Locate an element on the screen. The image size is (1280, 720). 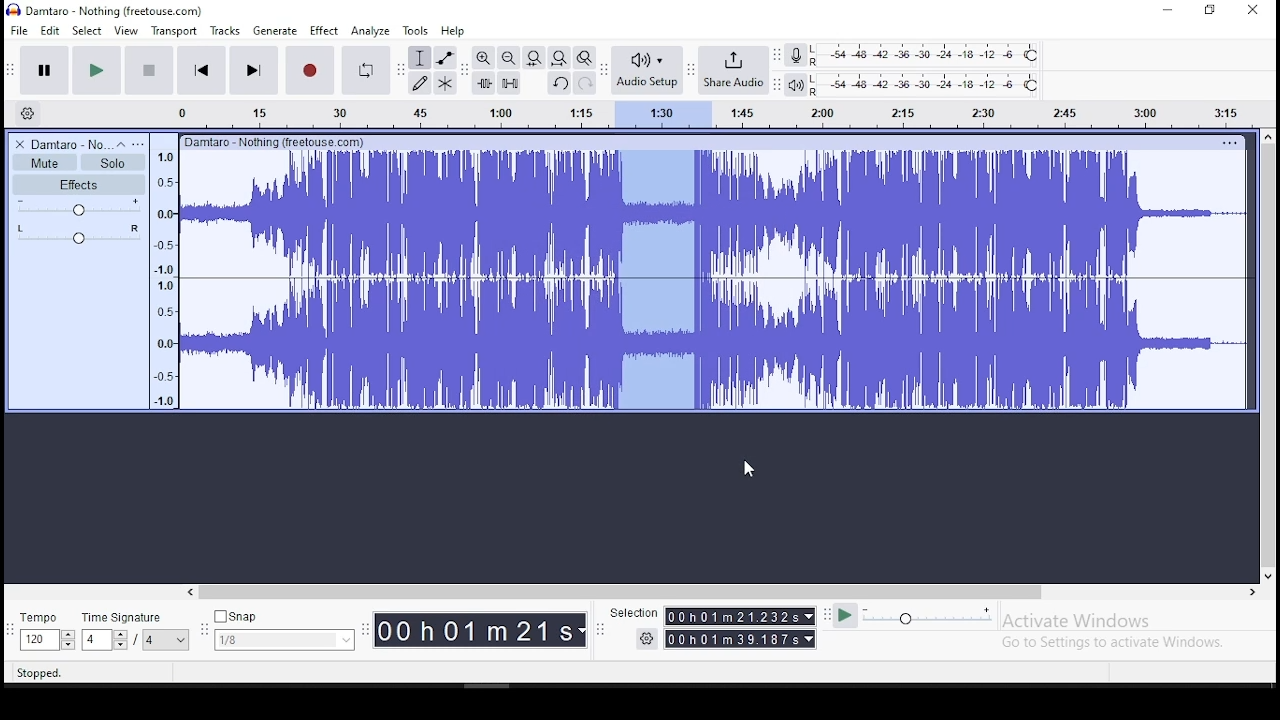
analyze is located at coordinates (371, 31).